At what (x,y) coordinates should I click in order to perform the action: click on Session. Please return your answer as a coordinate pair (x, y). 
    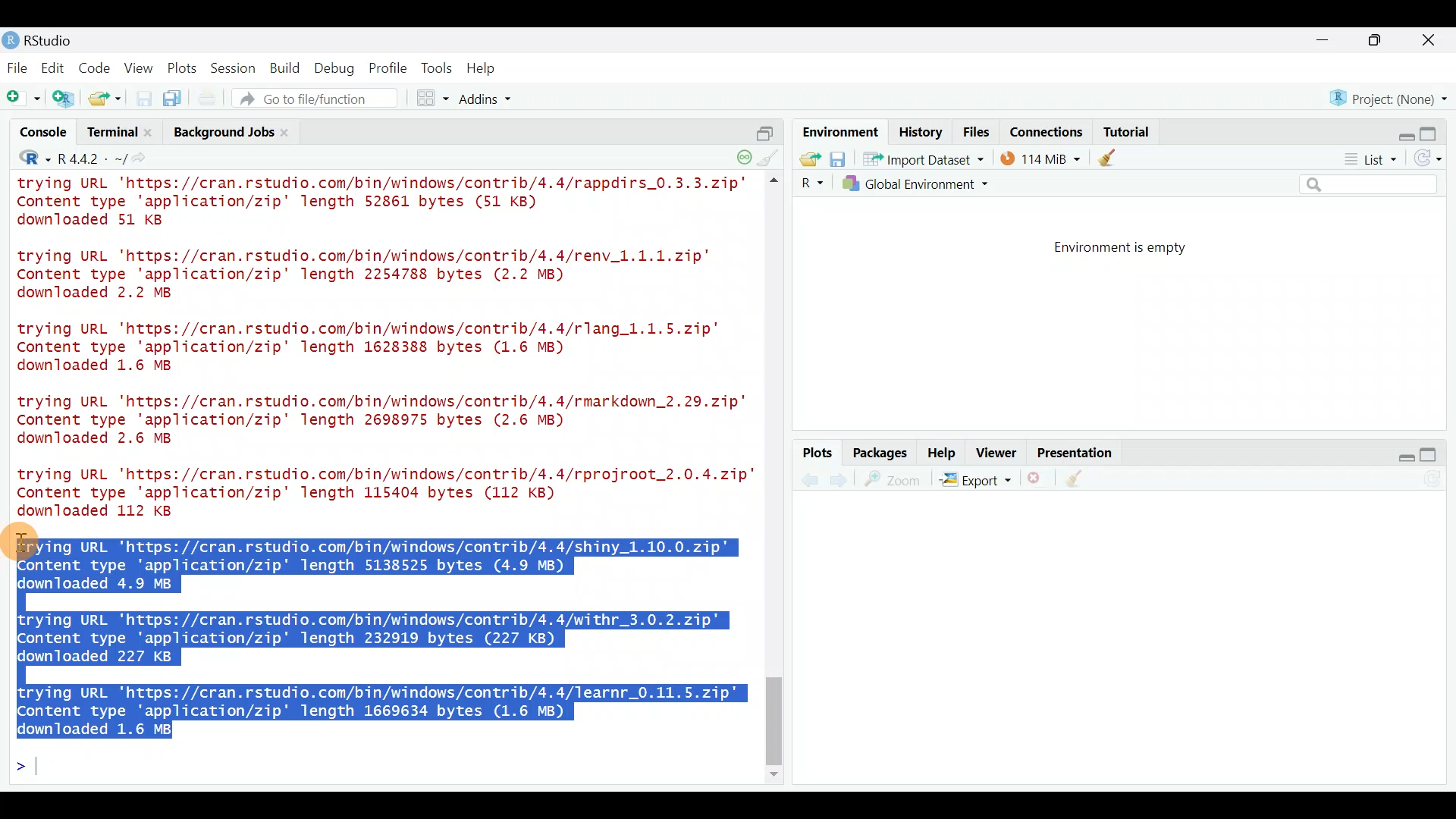
    Looking at the image, I should click on (236, 67).